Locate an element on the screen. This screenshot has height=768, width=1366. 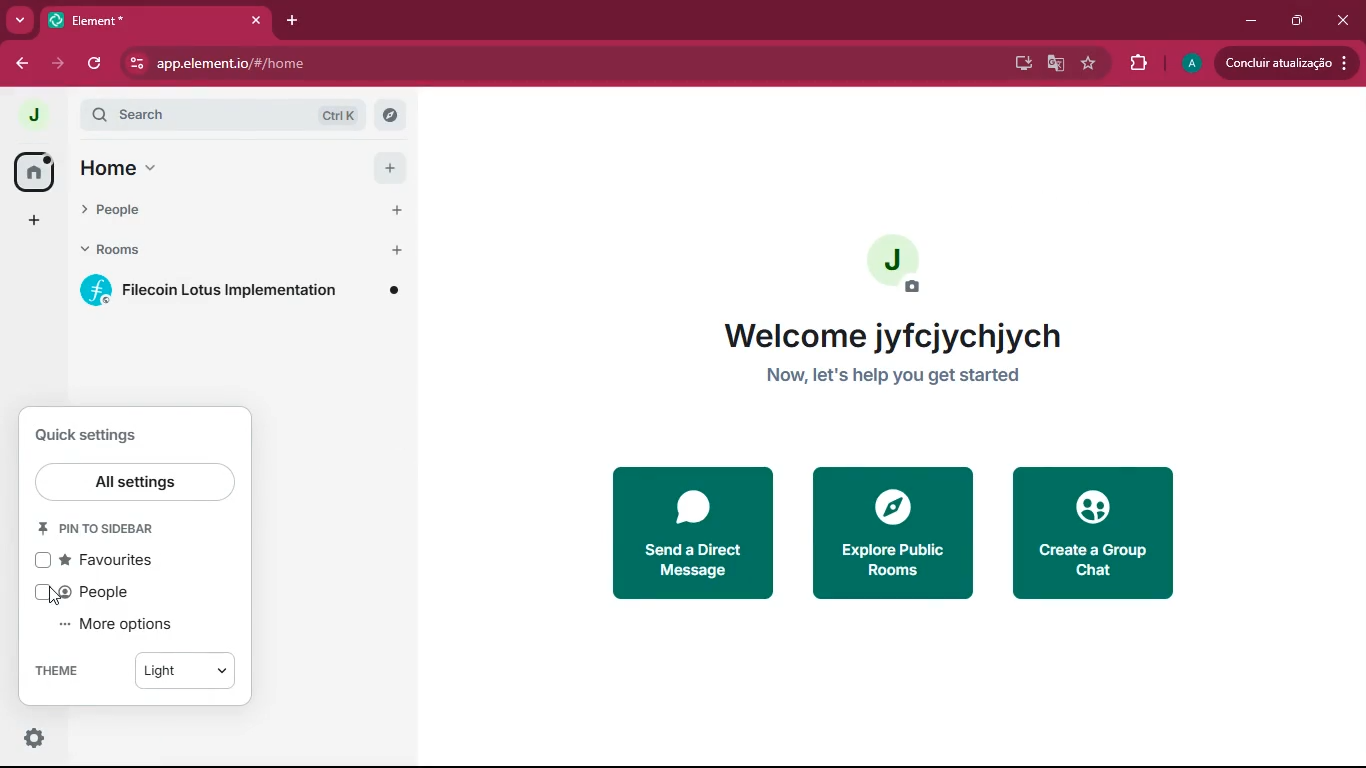
Welcome jyfcjychjych is located at coordinates (895, 335).